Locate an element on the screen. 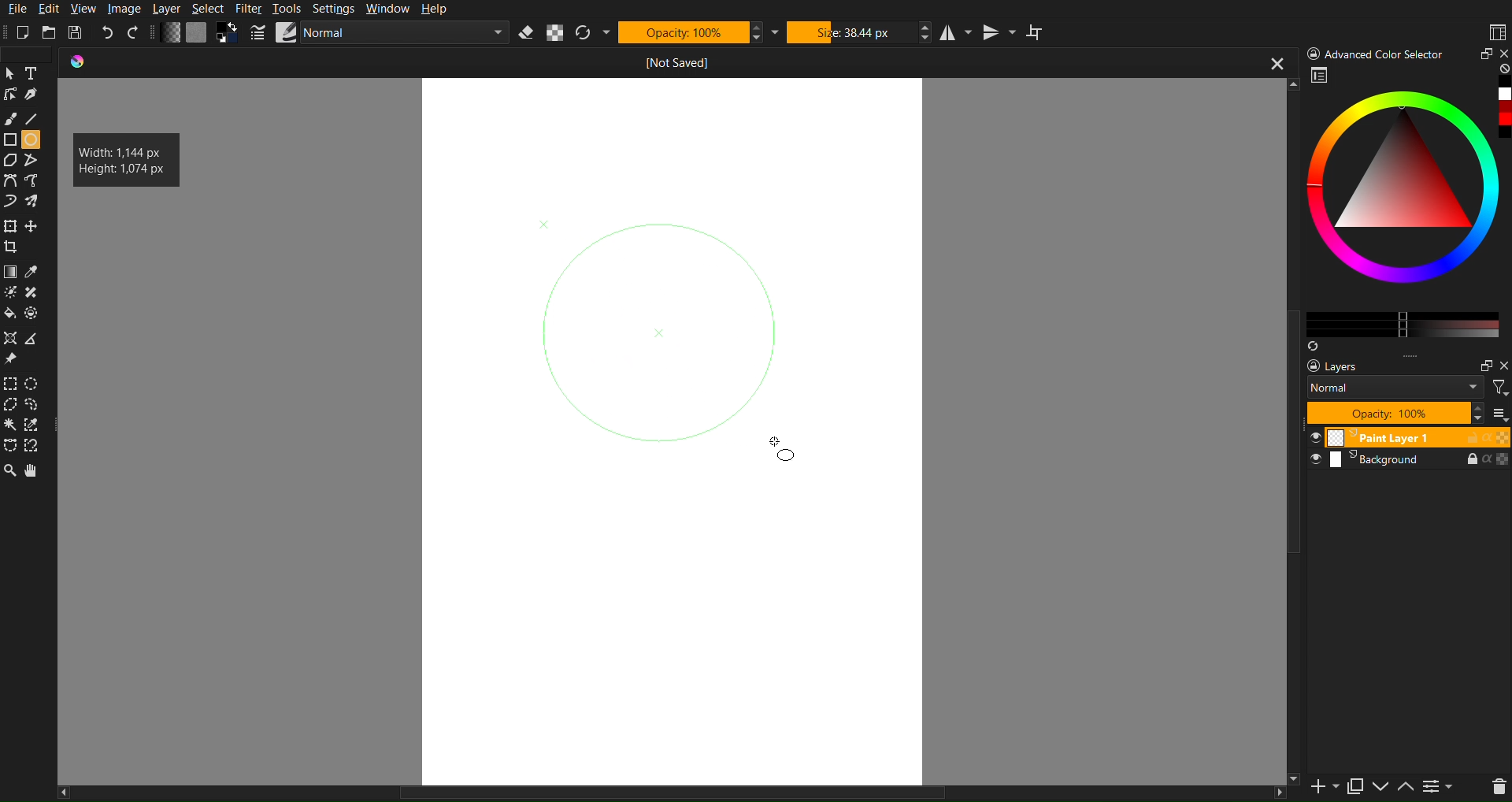 This screenshot has height=802, width=1512. Refresh is located at coordinates (584, 32).